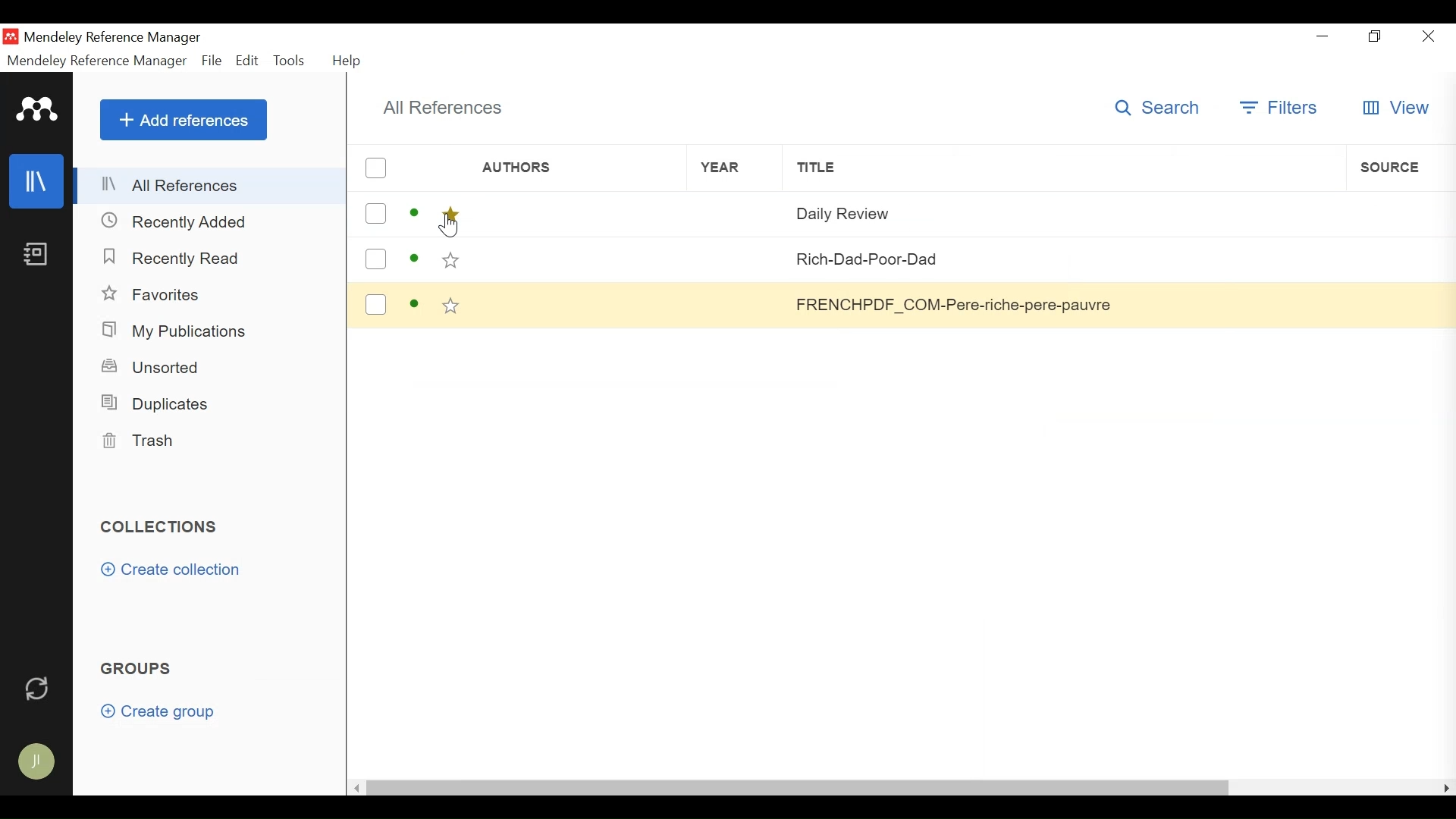 The width and height of the screenshot is (1456, 819). What do you see at coordinates (415, 259) in the screenshot?
I see `Unread` at bounding box center [415, 259].